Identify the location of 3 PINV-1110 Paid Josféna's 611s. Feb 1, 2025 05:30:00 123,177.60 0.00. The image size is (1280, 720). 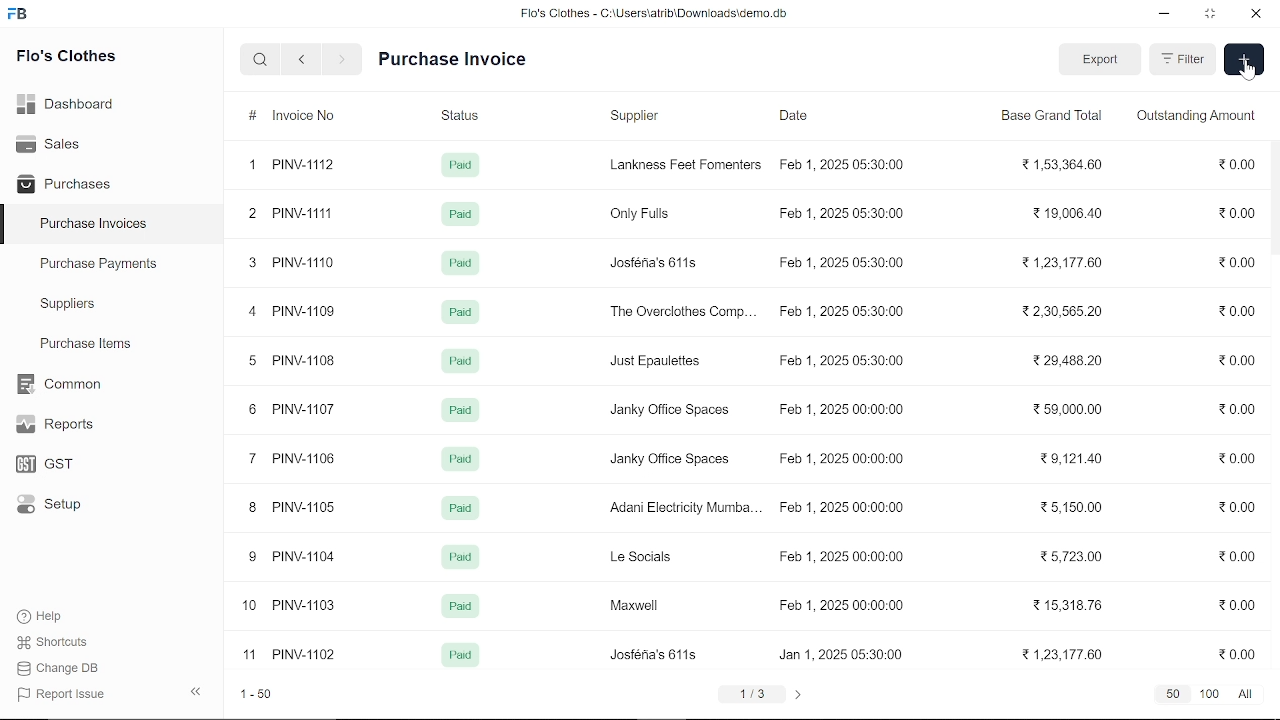
(743, 264).